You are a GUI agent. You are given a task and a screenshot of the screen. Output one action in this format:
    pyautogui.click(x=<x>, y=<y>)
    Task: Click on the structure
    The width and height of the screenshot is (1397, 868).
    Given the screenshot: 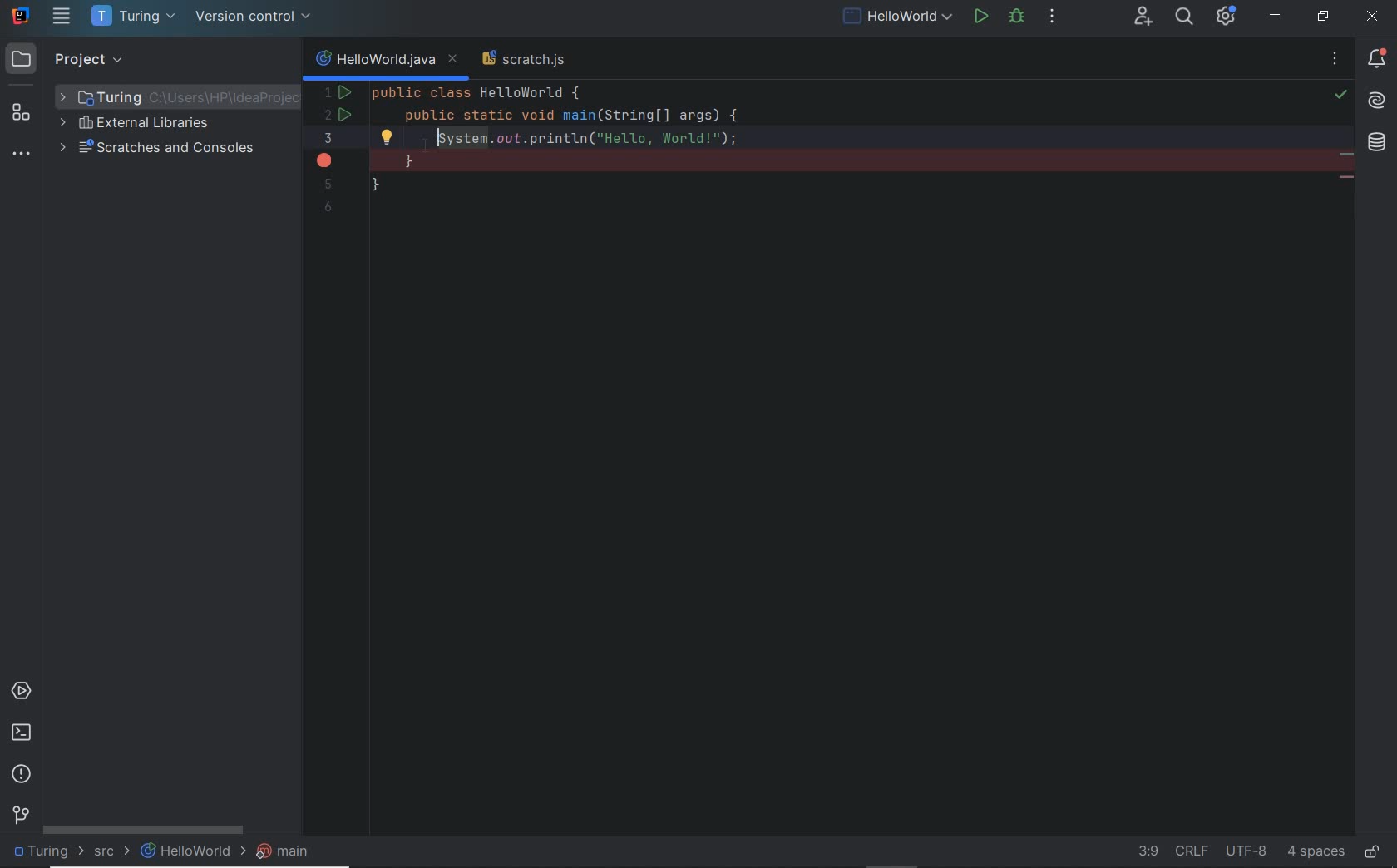 What is the action you would take?
    pyautogui.click(x=21, y=116)
    